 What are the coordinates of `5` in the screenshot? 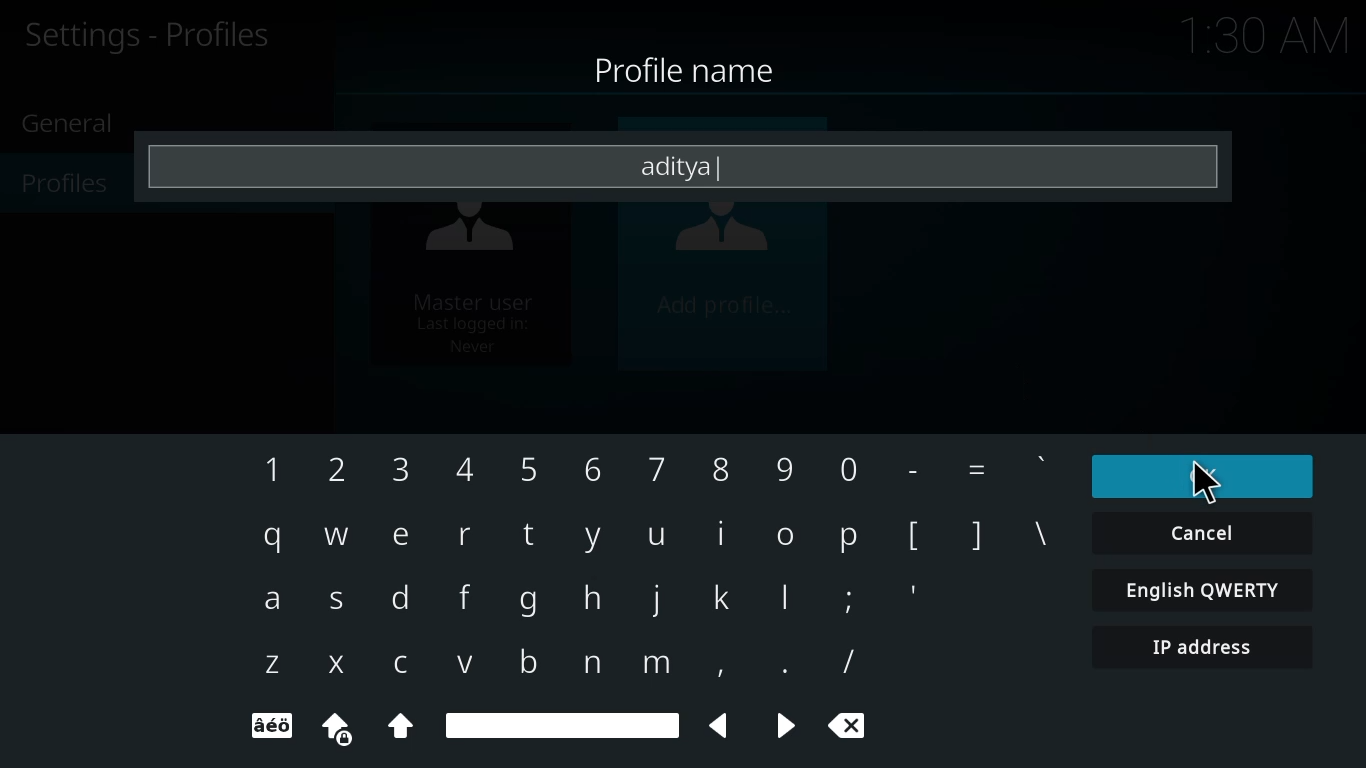 It's located at (528, 472).